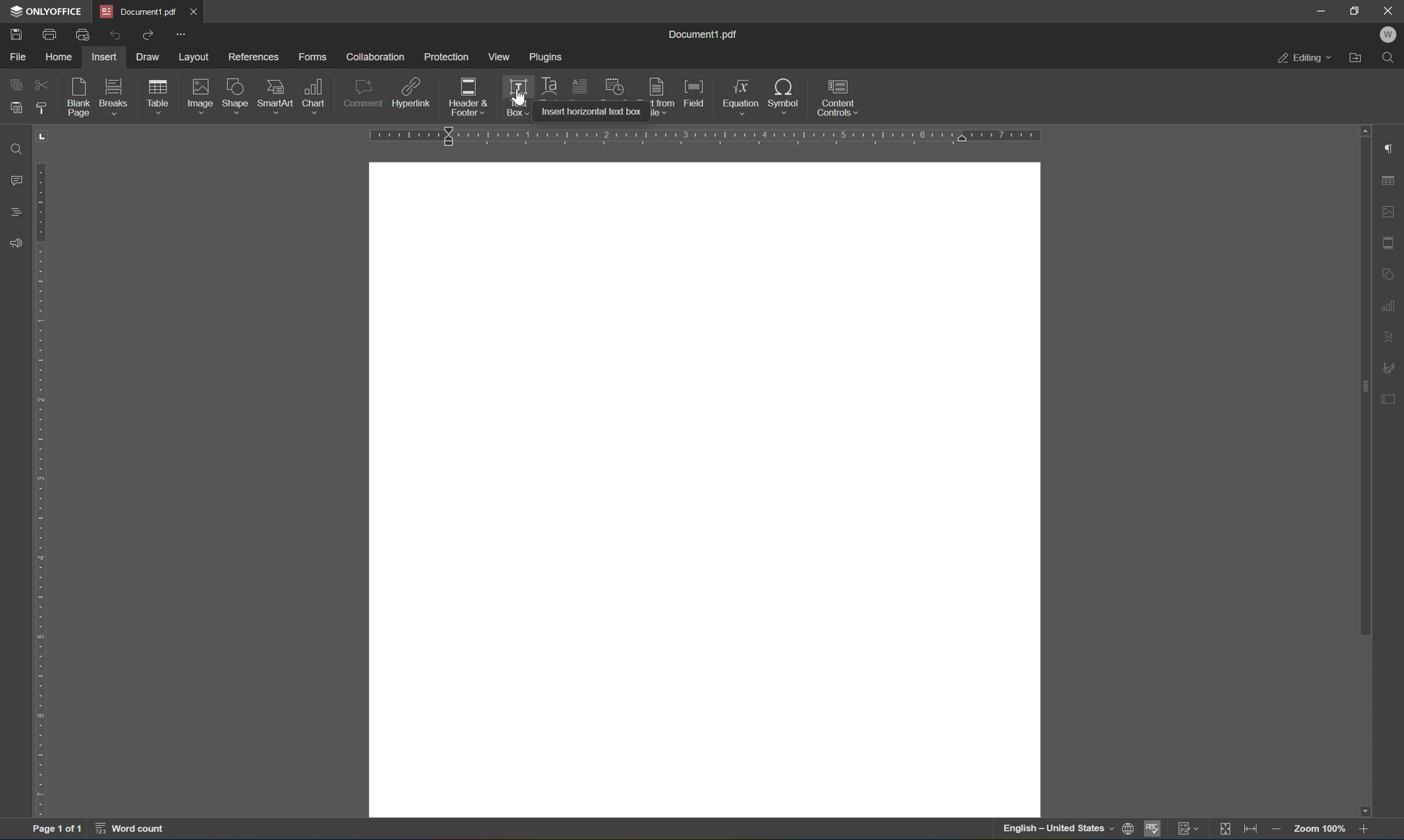  Describe the element at coordinates (1387, 367) in the screenshot. I see `signature settings` at that location.